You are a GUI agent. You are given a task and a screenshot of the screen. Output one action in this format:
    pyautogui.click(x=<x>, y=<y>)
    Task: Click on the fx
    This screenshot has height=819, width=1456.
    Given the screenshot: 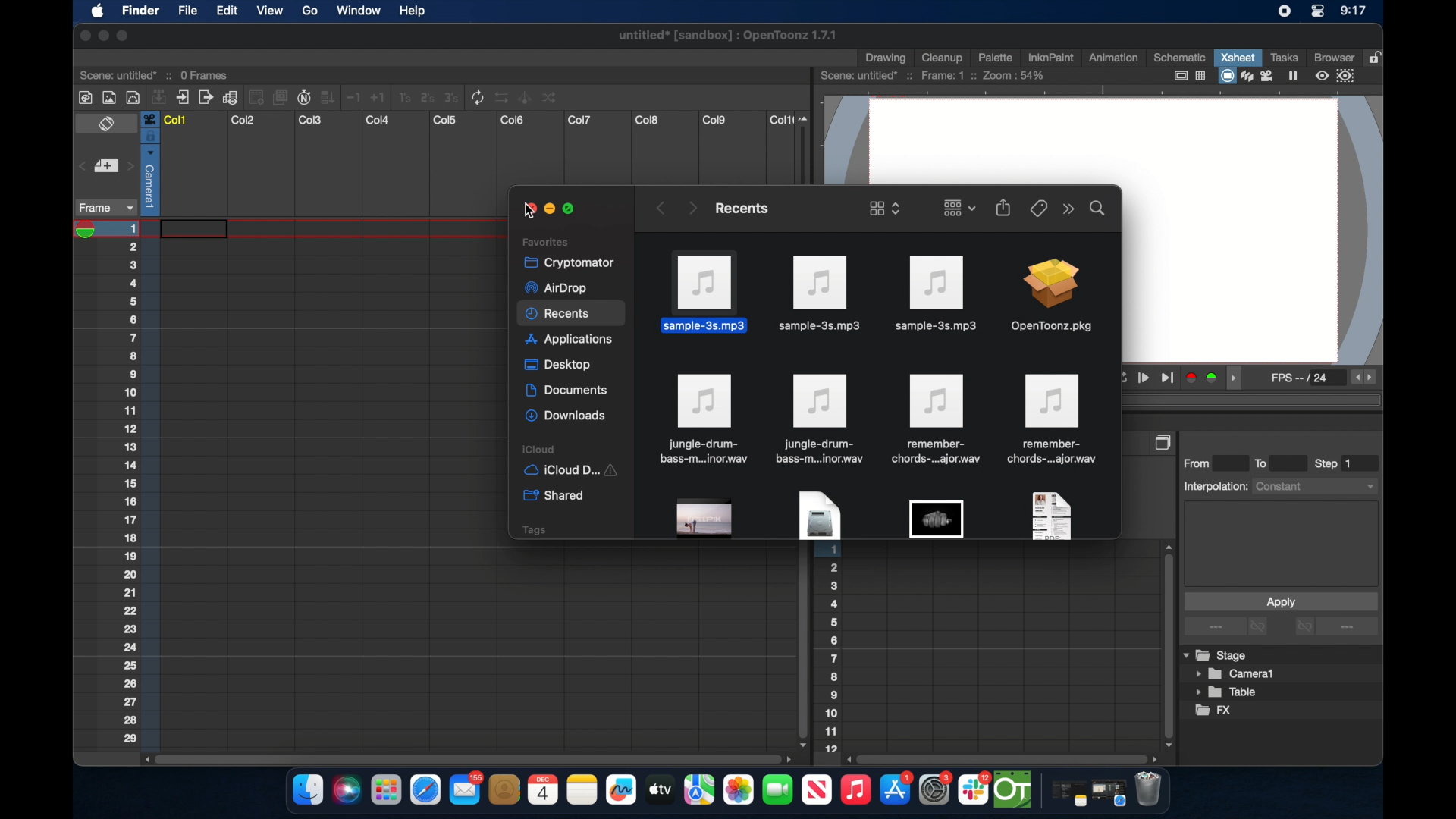 What is the action you would take?
    pyautogui.click(x=1214, y=711)
    